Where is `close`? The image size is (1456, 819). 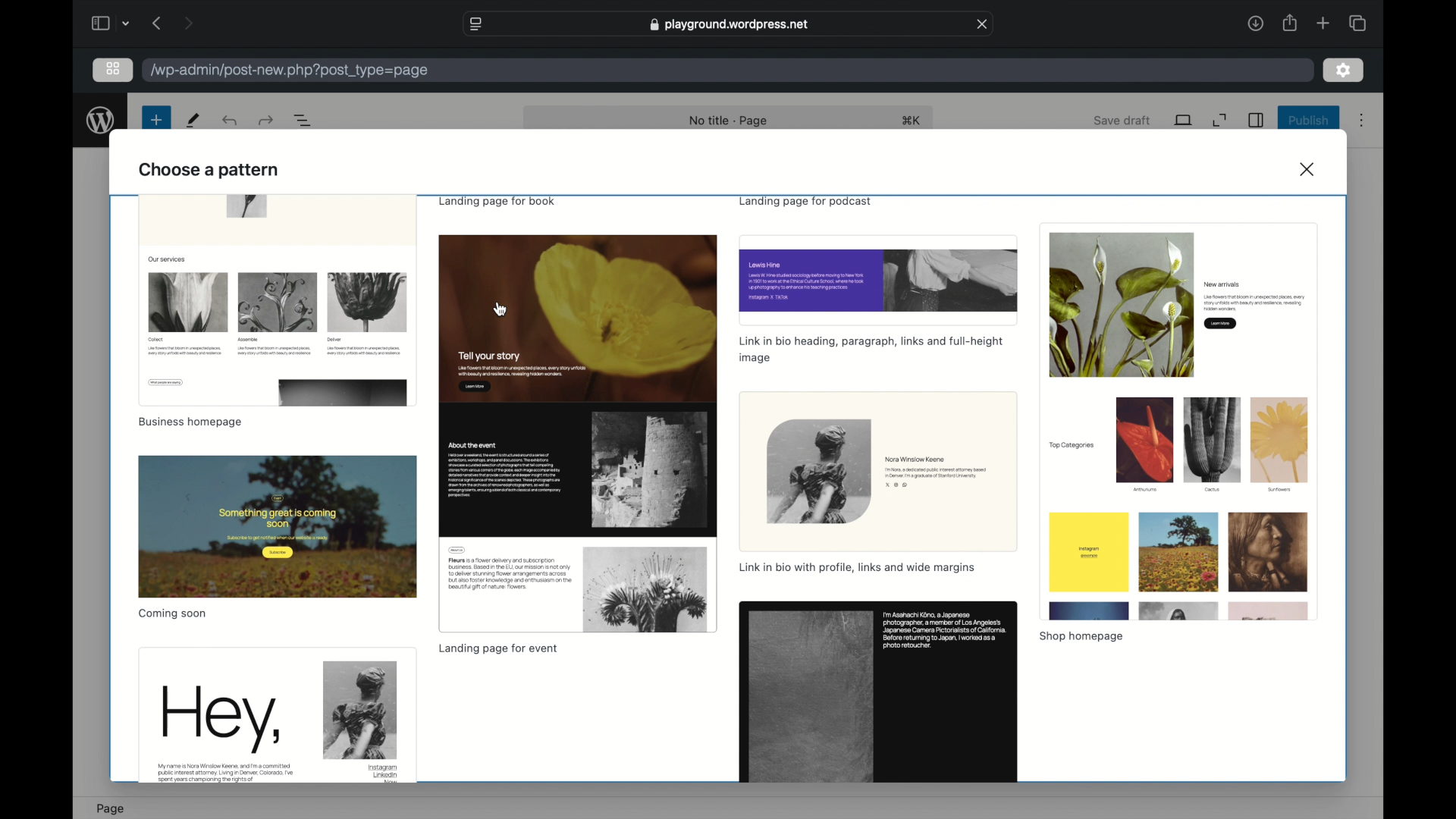
close is located at coordinates (983, 24).